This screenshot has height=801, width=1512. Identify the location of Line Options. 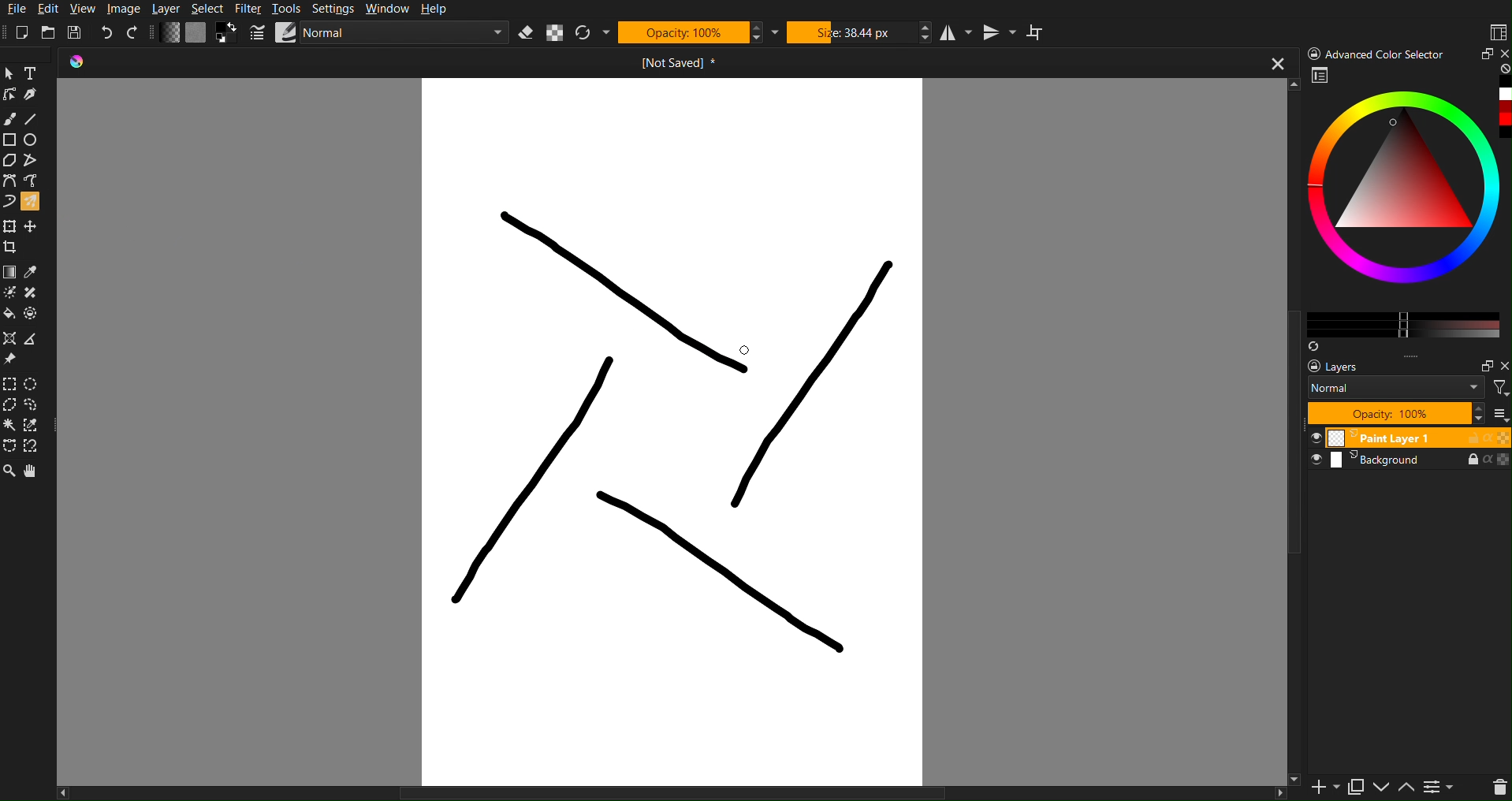
(288, 32).